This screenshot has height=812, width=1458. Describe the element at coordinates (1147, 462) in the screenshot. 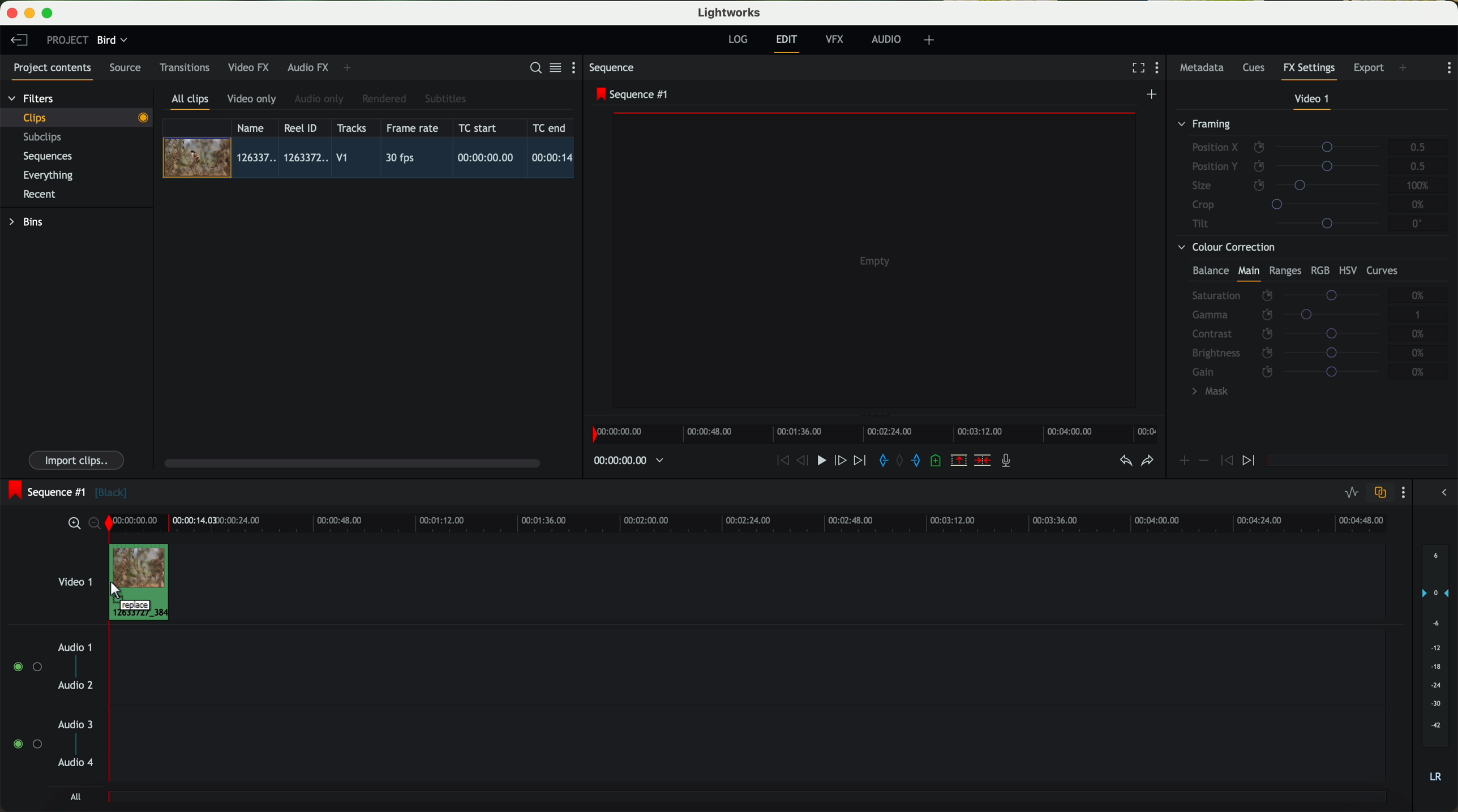

I see `redo` at that location.